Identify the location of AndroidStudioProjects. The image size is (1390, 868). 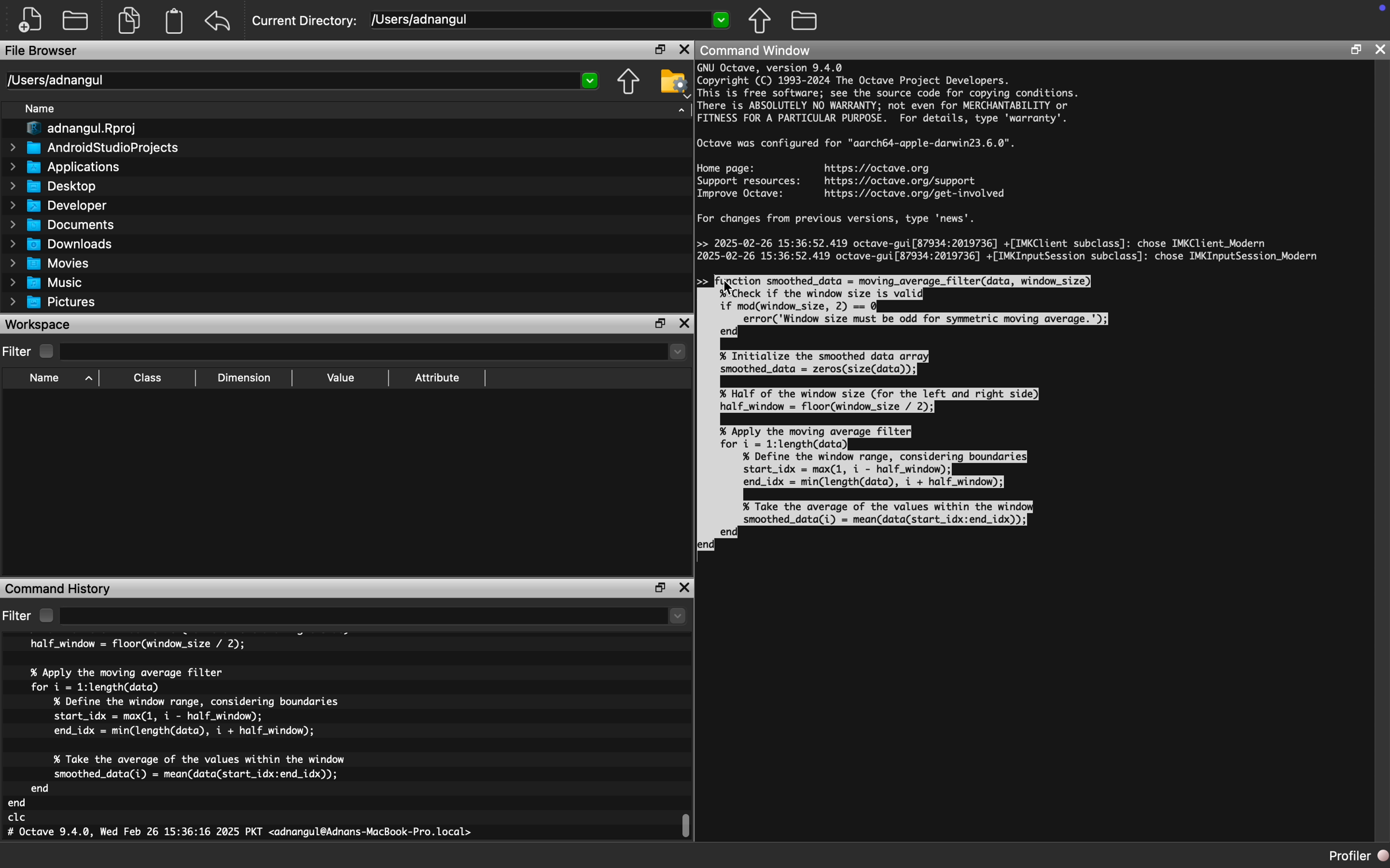
(94, 148).